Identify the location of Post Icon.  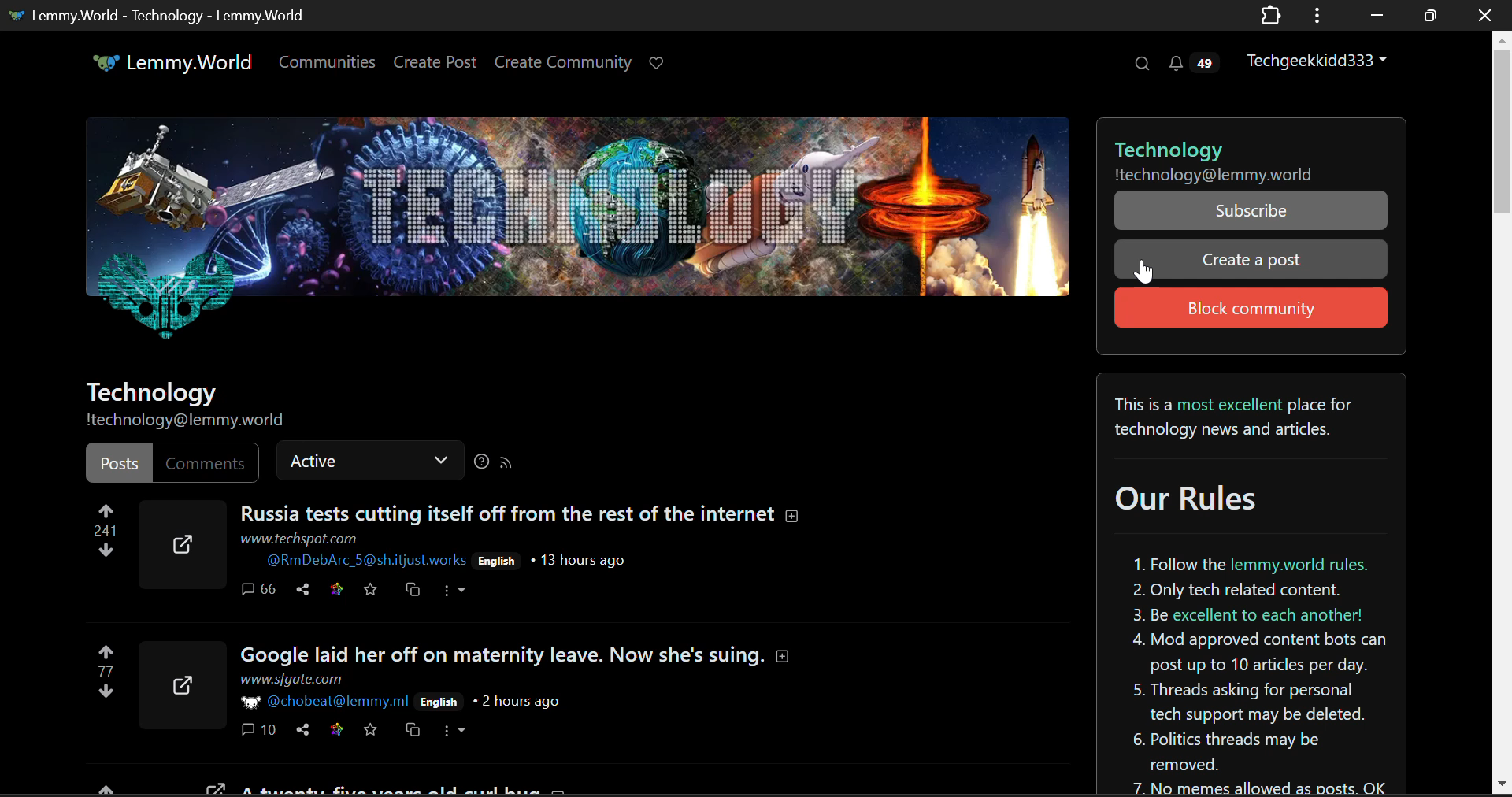
(180, 685).